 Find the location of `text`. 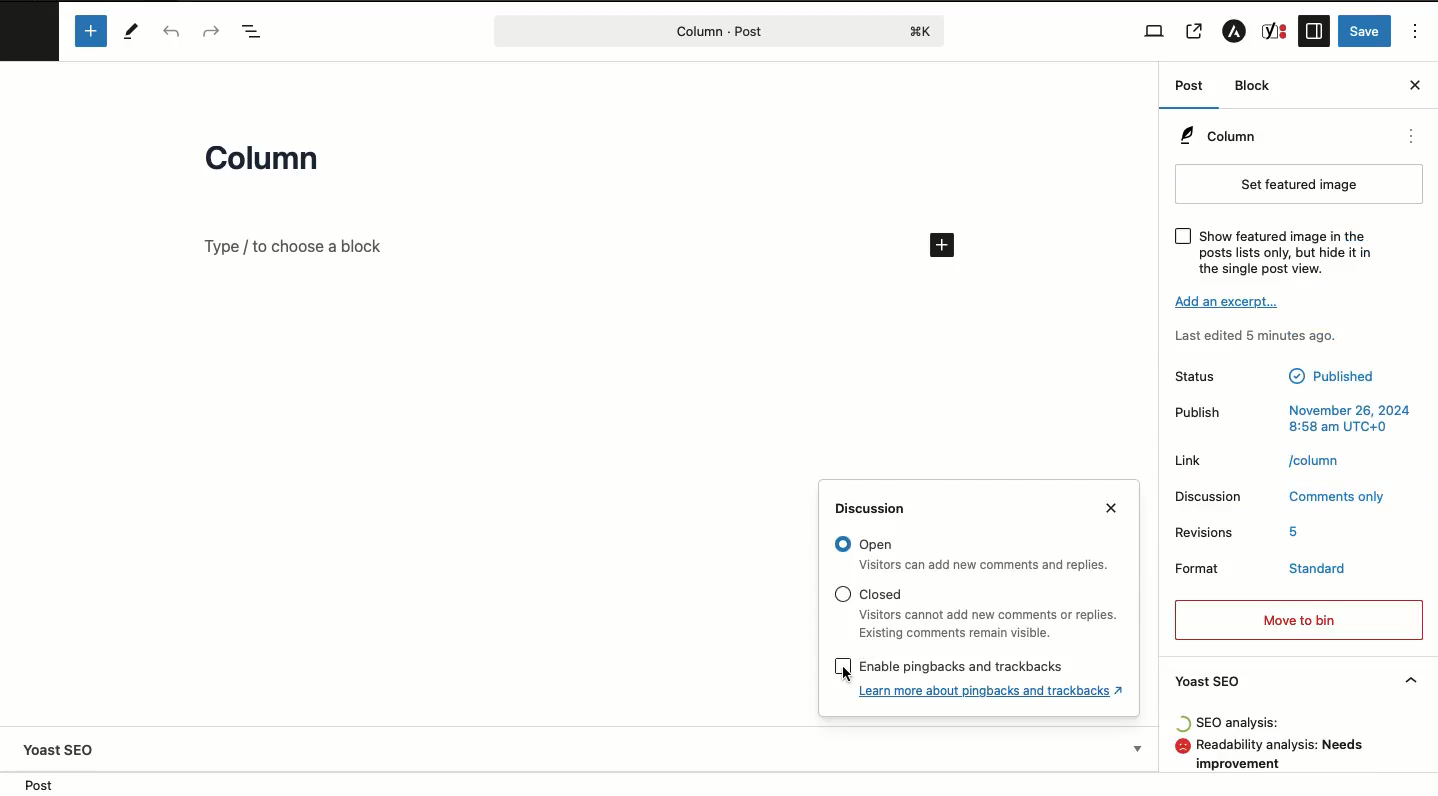

text is located at coordinates (1314, 569).